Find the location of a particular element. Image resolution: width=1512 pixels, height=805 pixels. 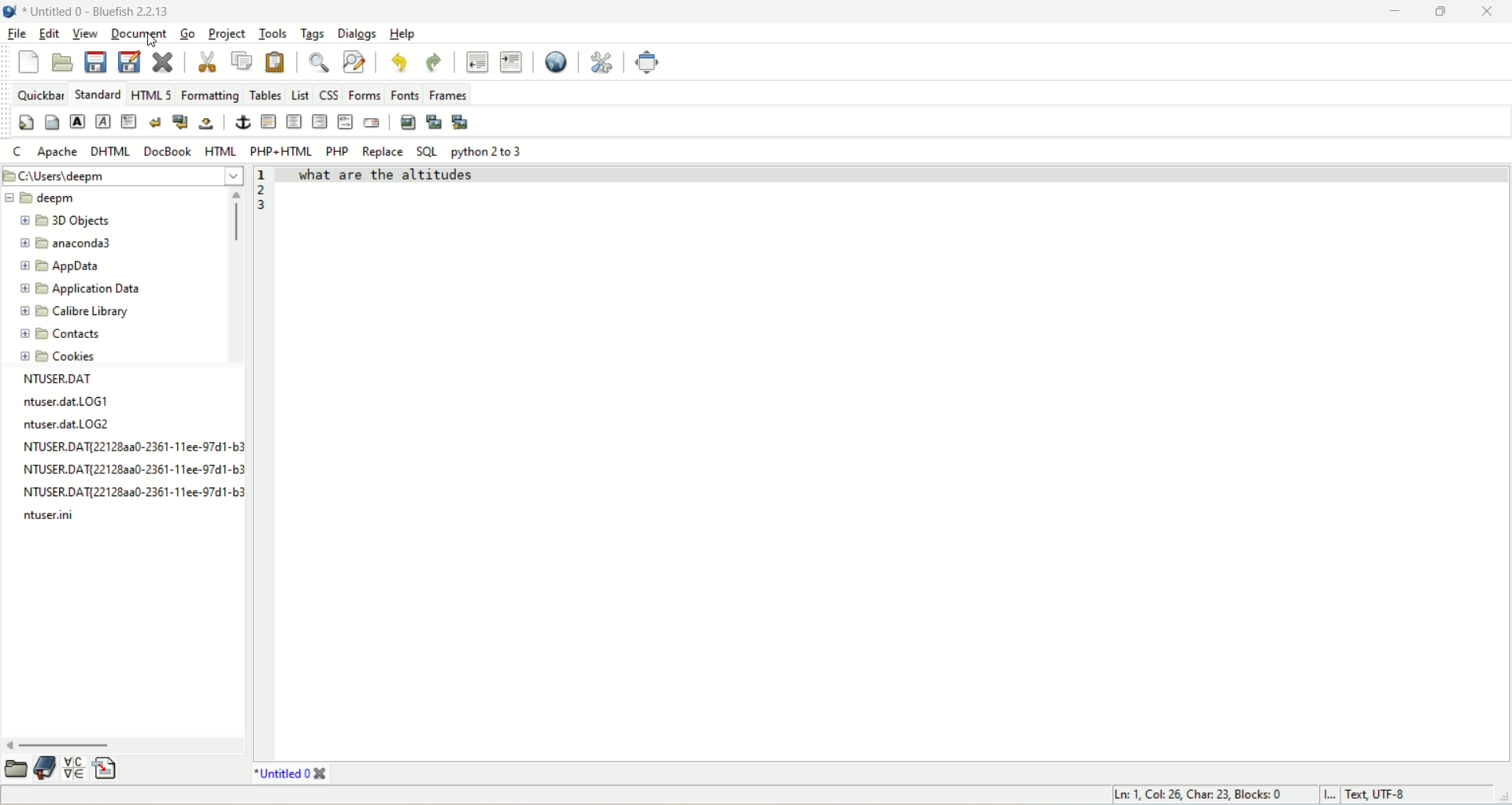

contacts is located at coordinates (65, 333).